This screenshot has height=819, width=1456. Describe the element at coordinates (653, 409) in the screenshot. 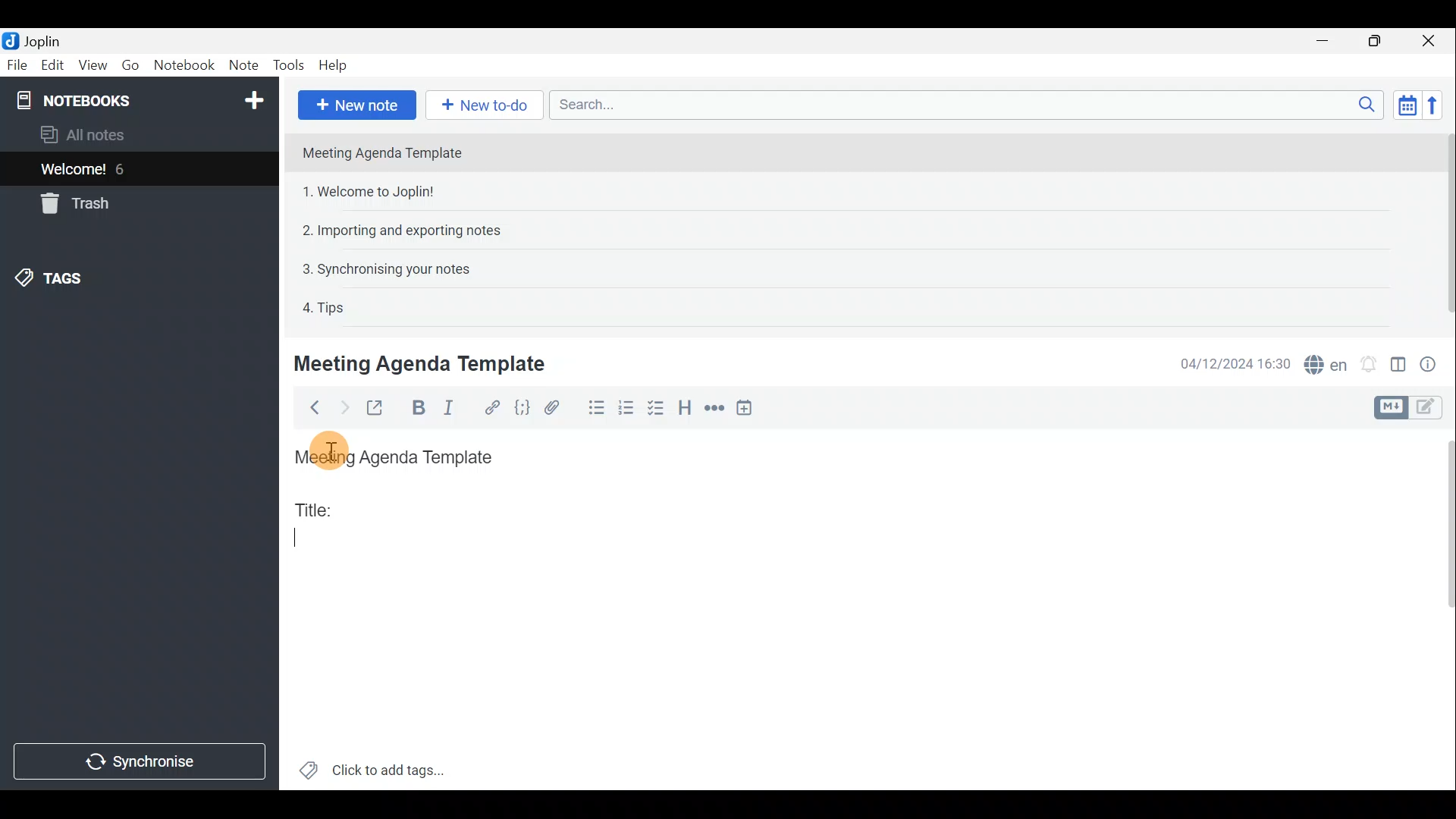

I see `Checkbox` at that location.